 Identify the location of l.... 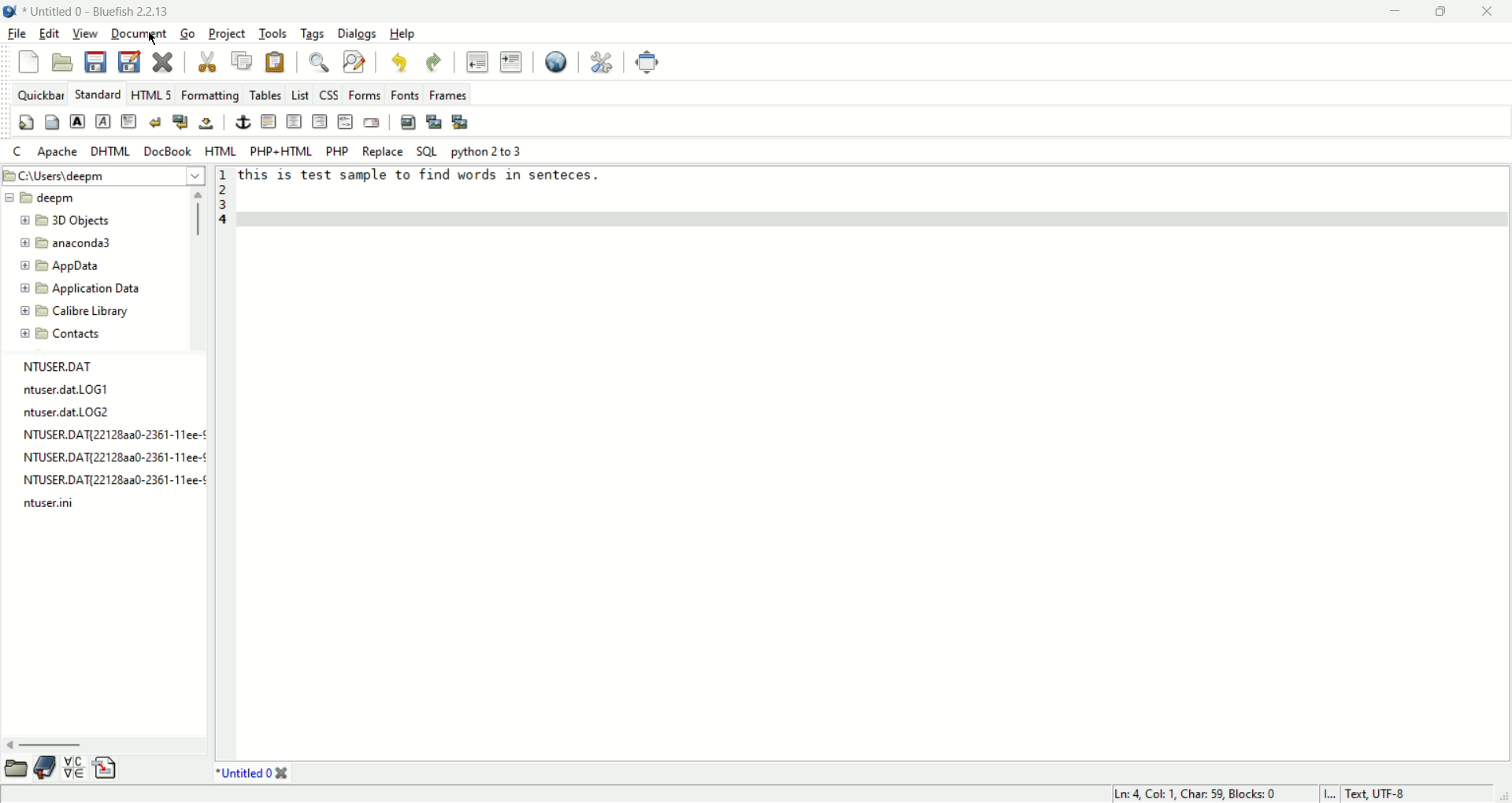
(1329, 794).